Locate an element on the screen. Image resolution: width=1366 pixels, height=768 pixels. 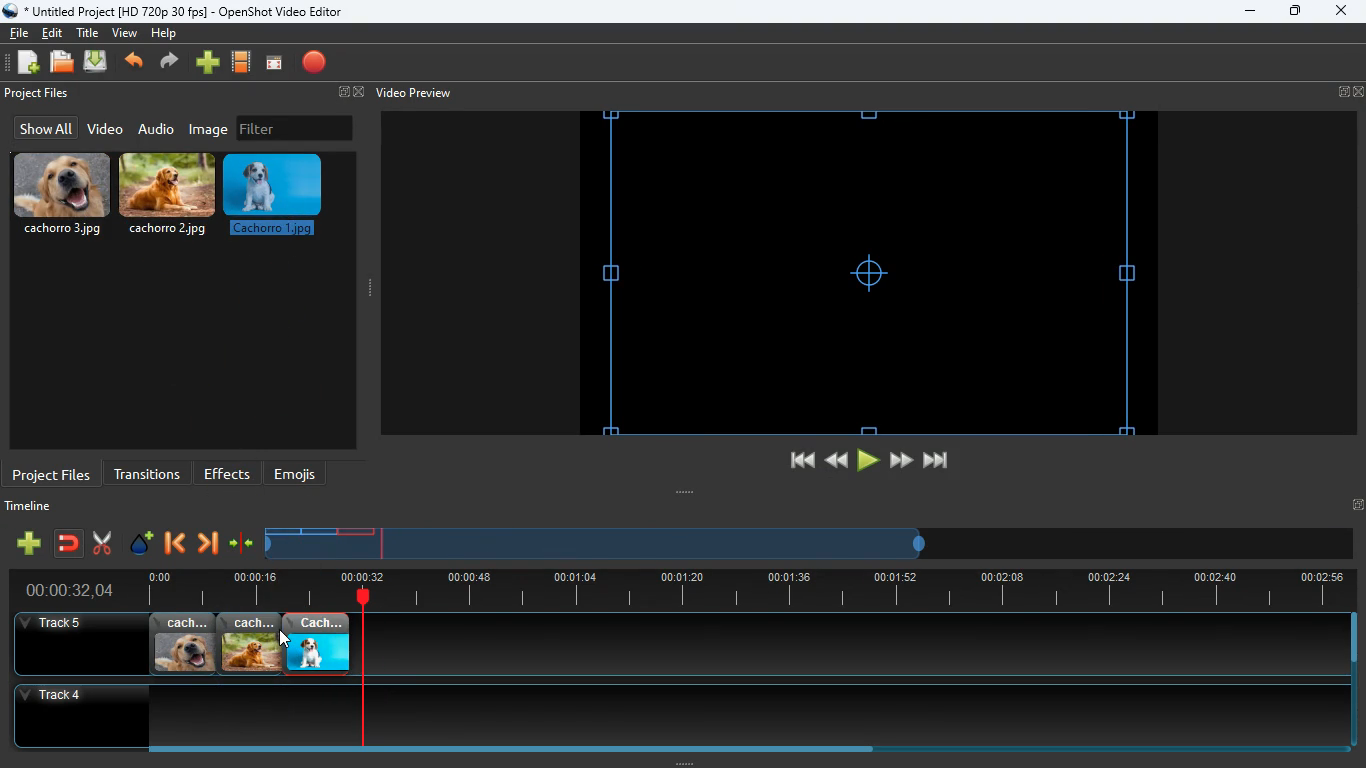
time is located at coordinates (61, 590).